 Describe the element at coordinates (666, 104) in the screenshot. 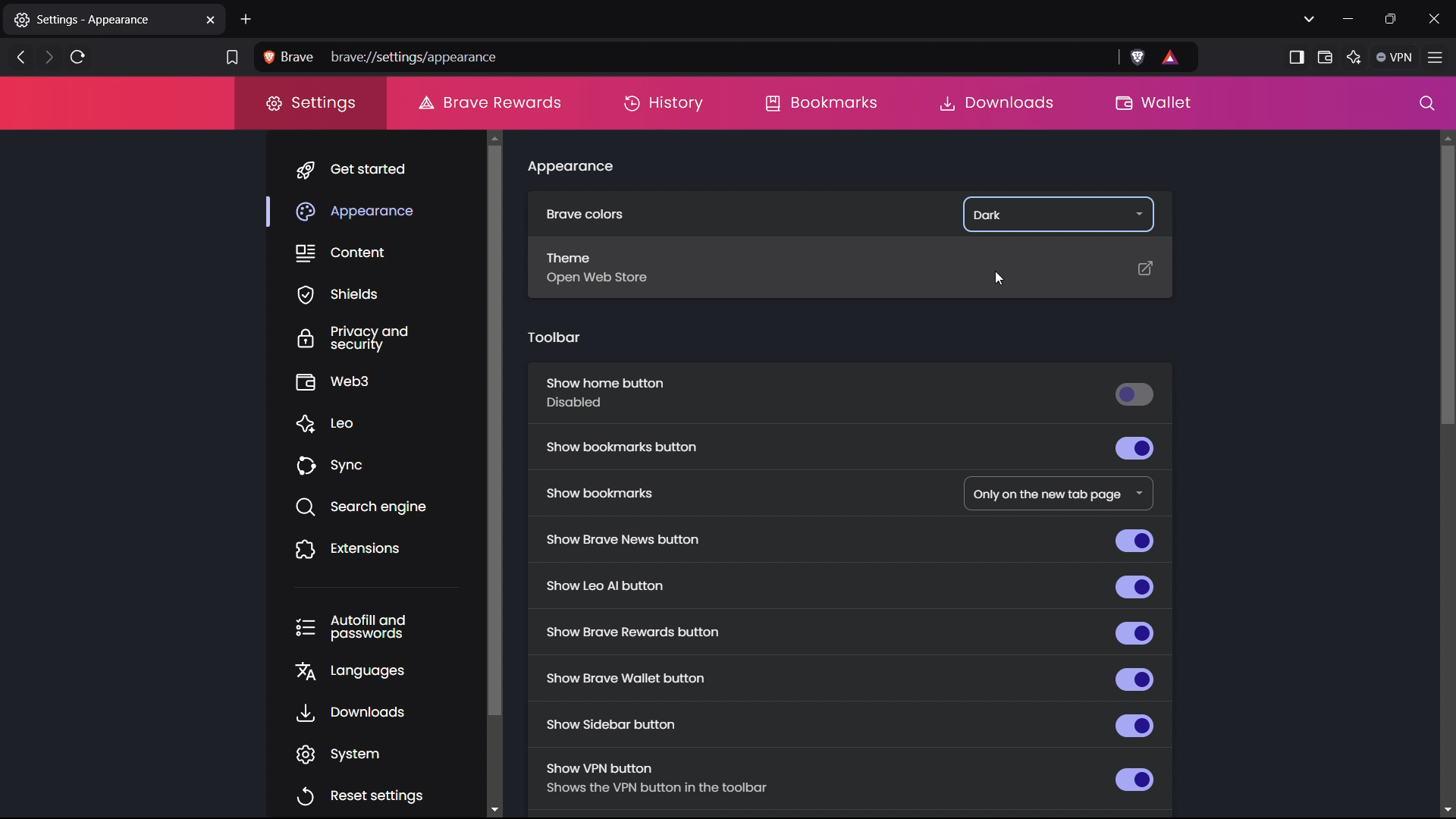

I see `history` at that location.